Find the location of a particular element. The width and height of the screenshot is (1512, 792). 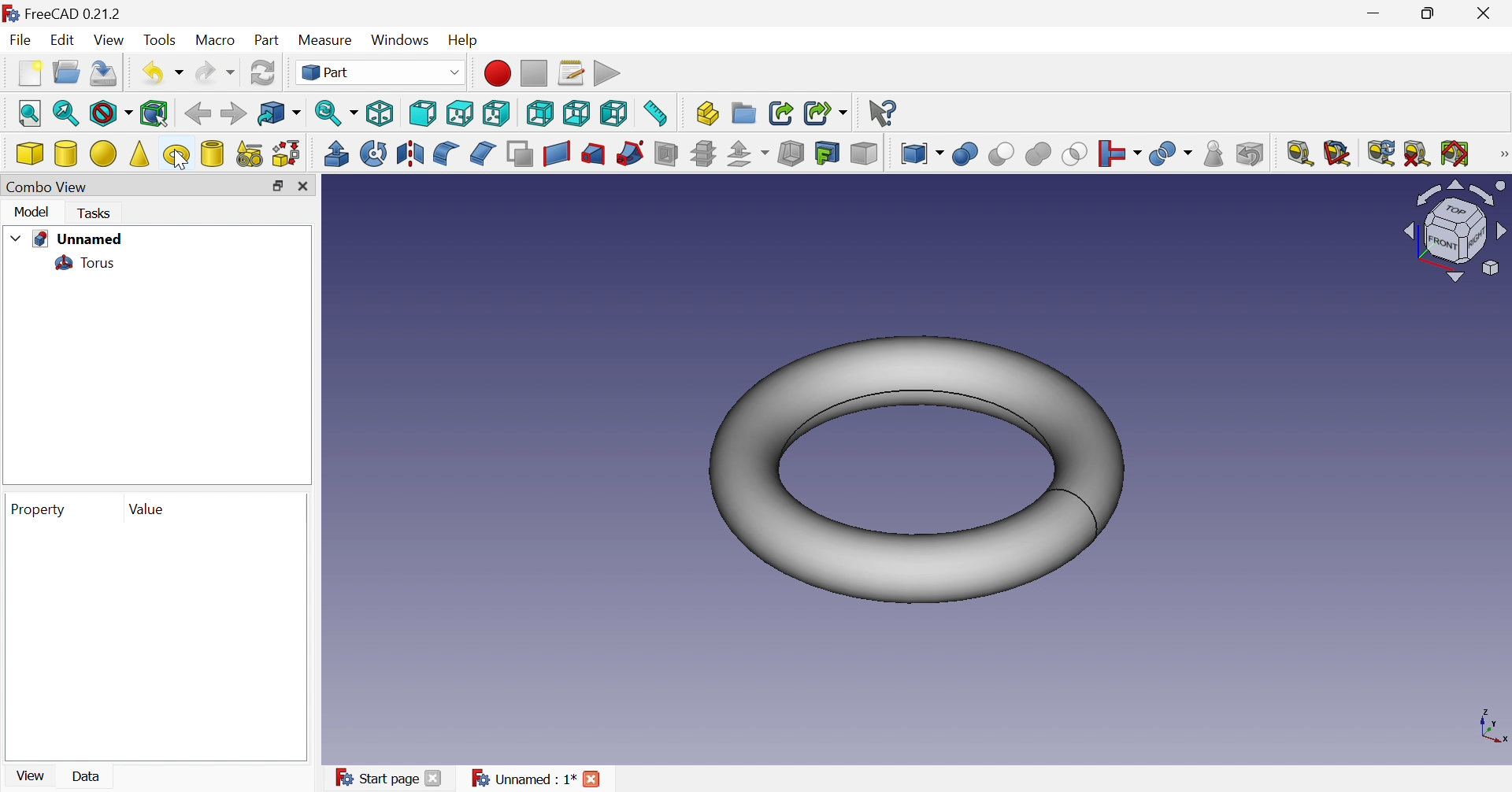

Sync view is located at coordinates (336, 112).